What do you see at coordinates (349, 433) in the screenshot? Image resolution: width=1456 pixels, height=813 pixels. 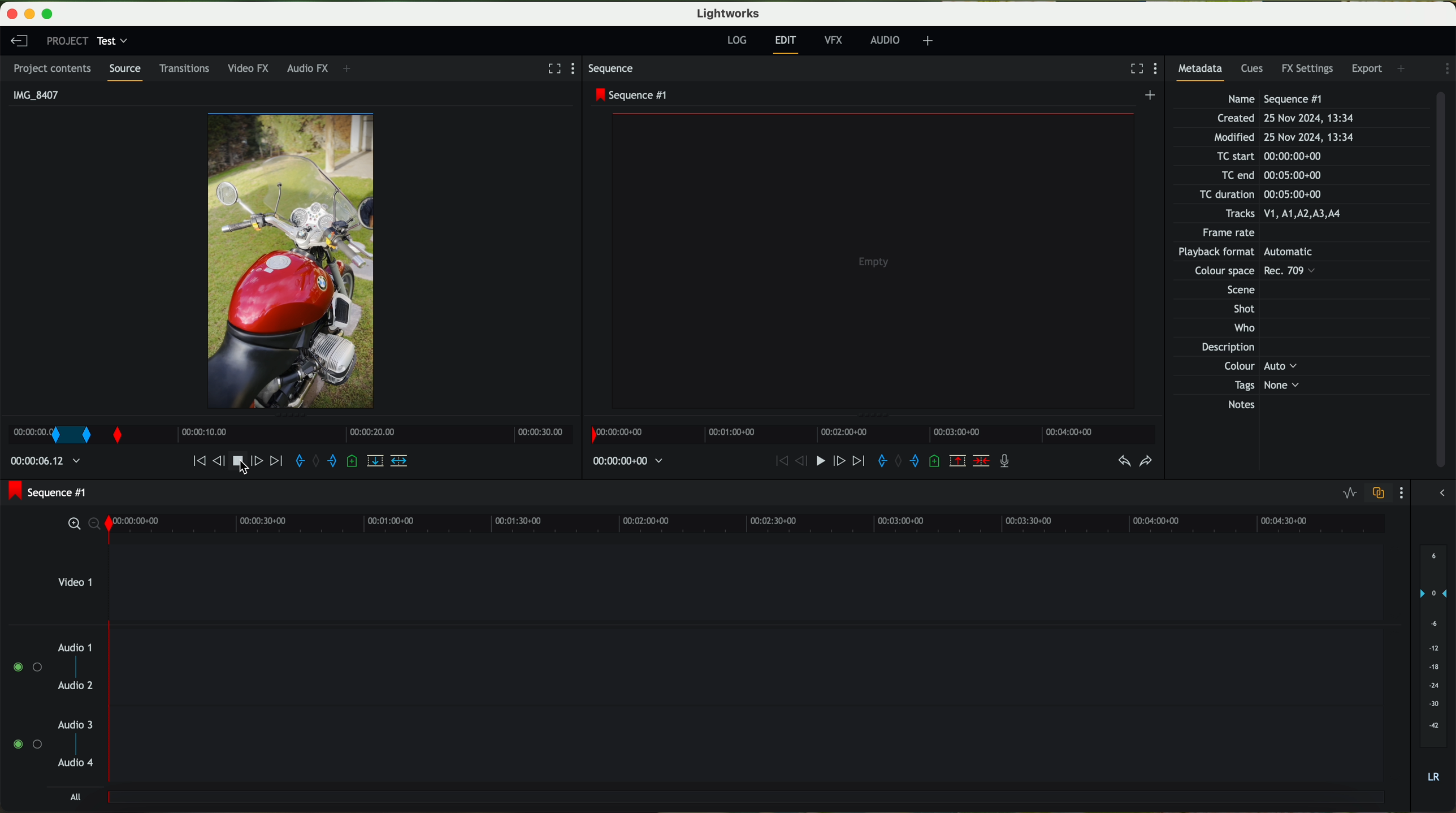 I see `Timeline` at bounding box center [349, 433].